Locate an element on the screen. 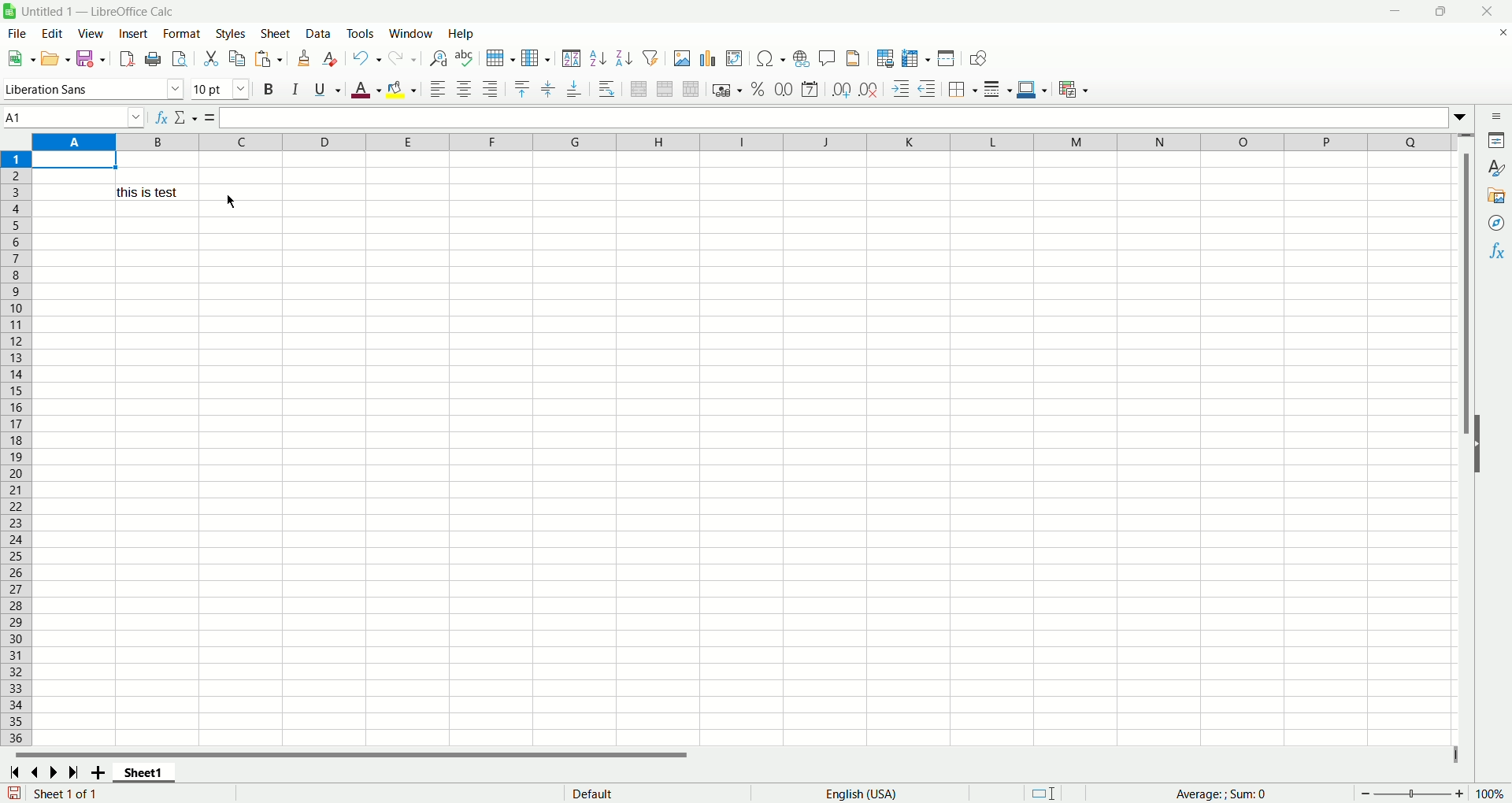 The width and height of the screenshot is (1512, 803). auto filter is located at coordinates (650, 56).